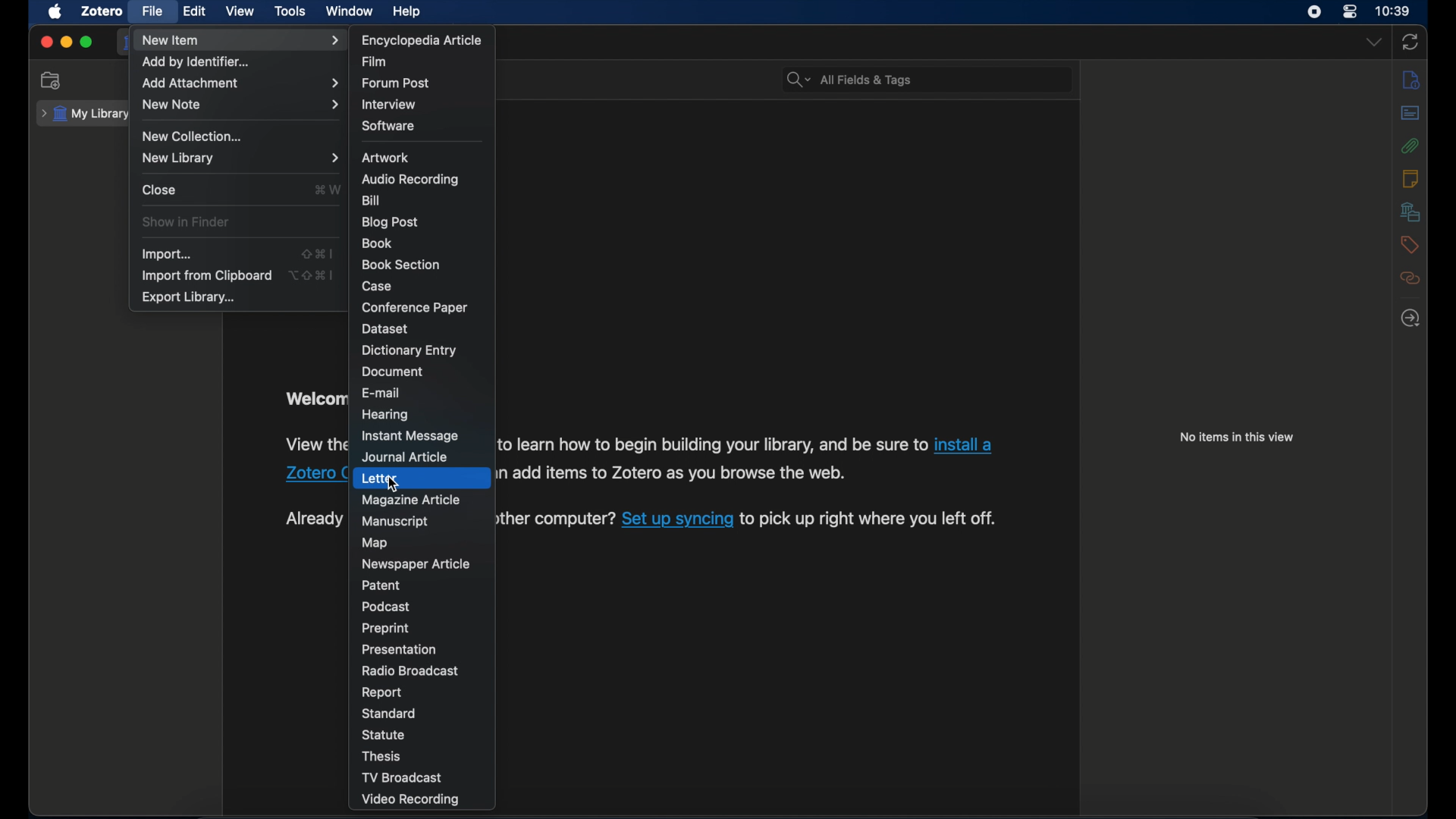 The width and height of the screenshot is (1456, 819). What do you see at coordinates (190, 136) in the screenshot?
I see `new collection` at bounding box center [190, 136].